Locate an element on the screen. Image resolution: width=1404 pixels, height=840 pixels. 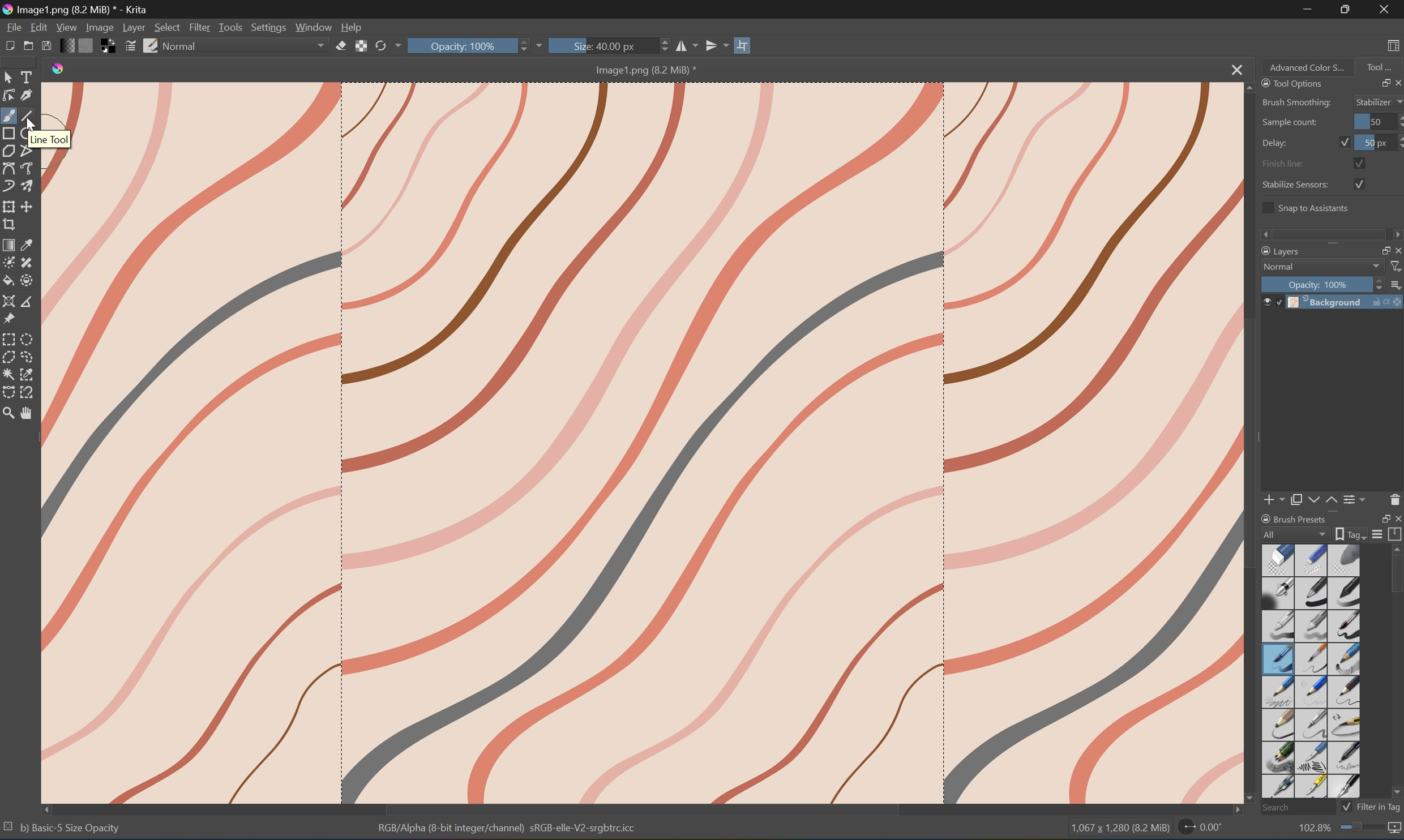
No selection is located at coordinates (9, 829).